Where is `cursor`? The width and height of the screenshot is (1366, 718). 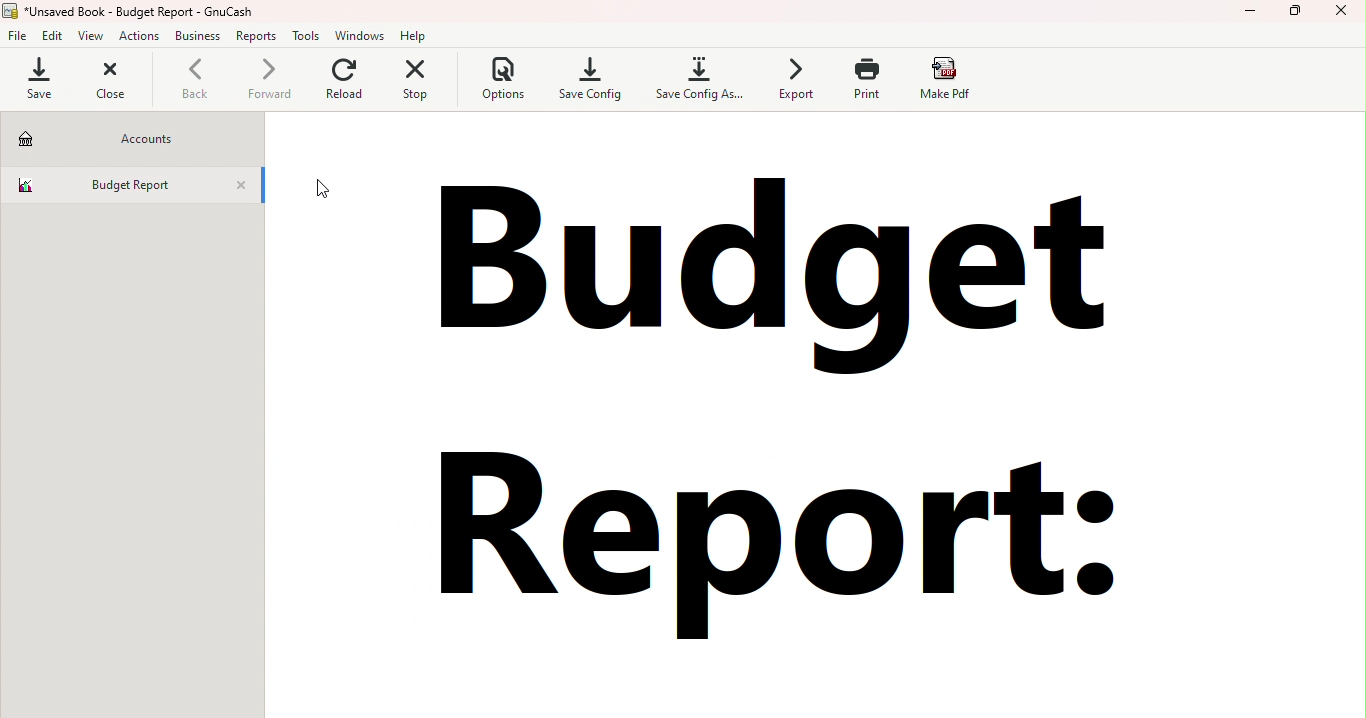
cursor is located at coordinates (320, 192).